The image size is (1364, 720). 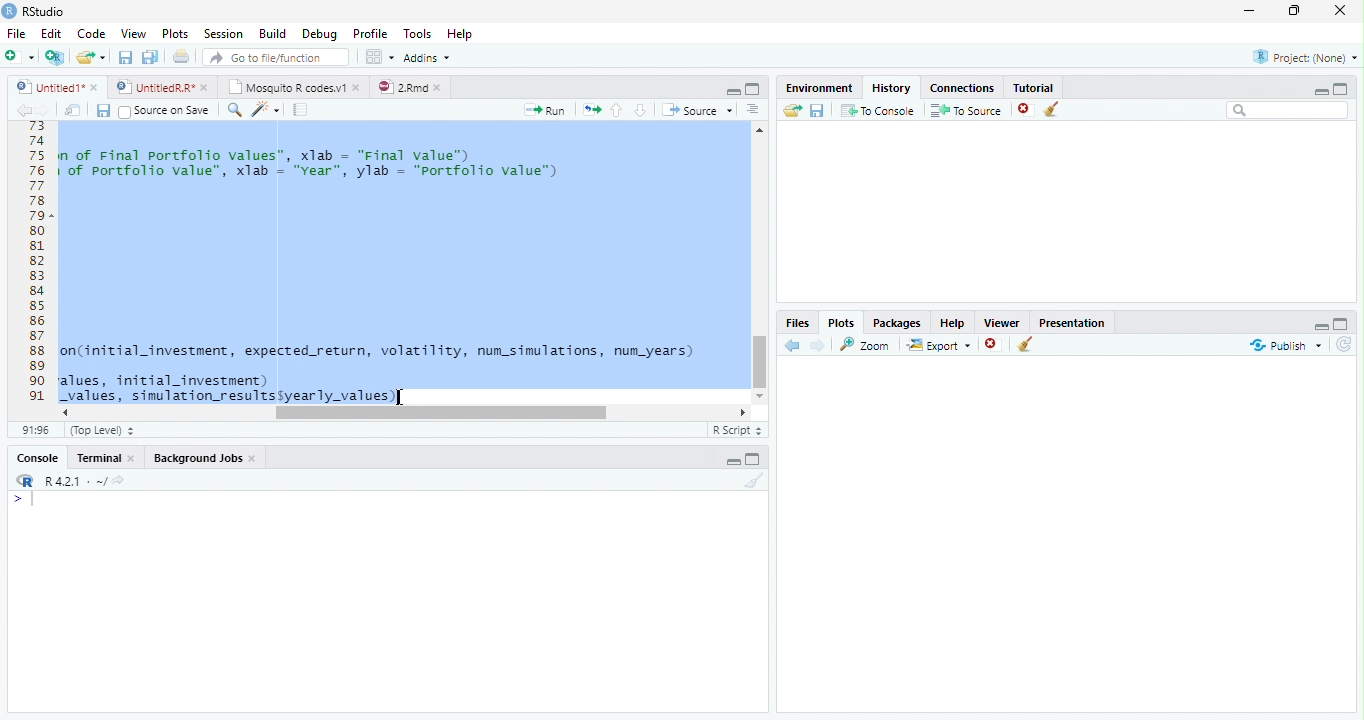 I want to click on Create project, so click(x=54, y=57).